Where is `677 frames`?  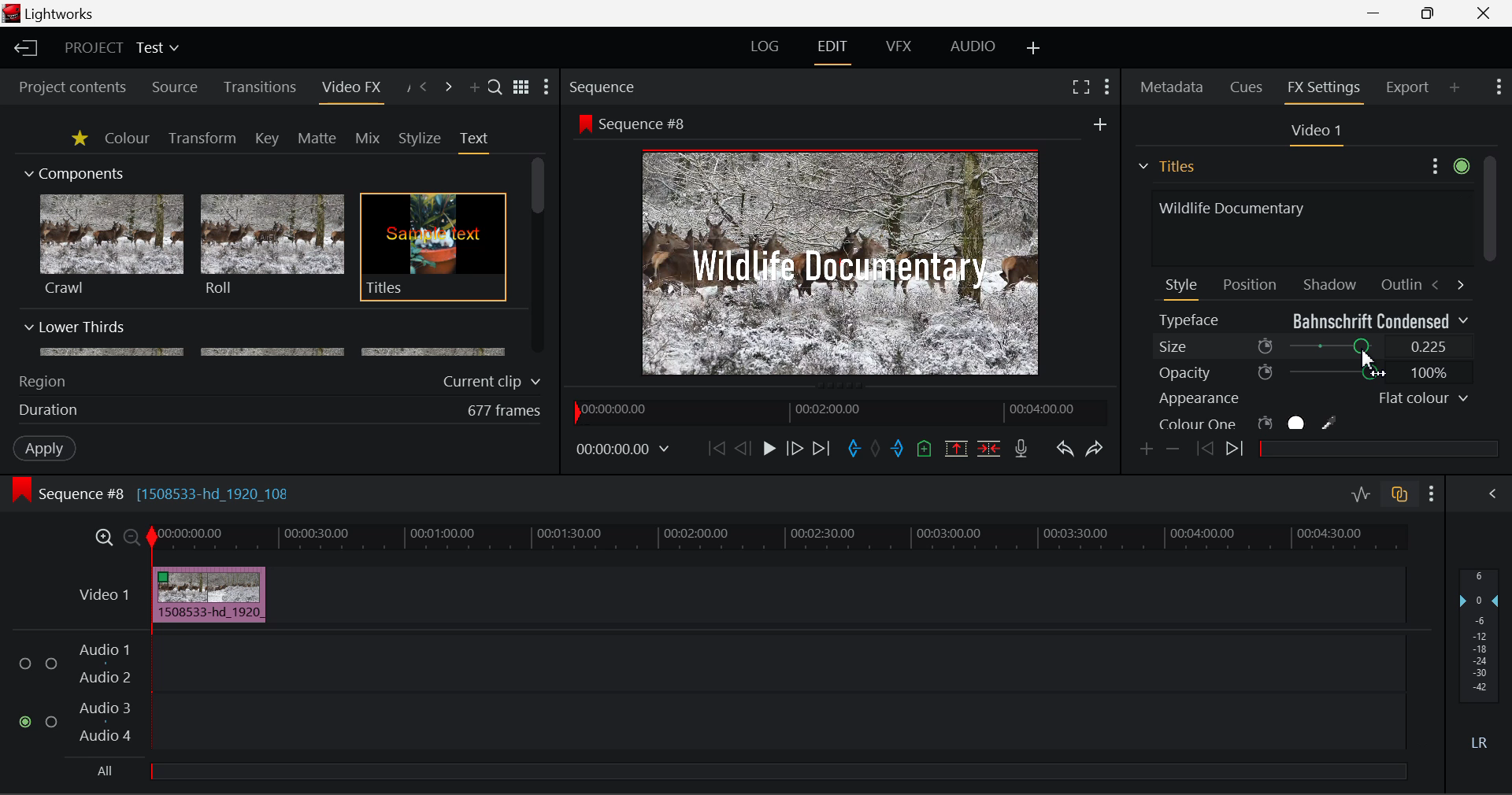
677 frames is located at coordinates (505, 412).